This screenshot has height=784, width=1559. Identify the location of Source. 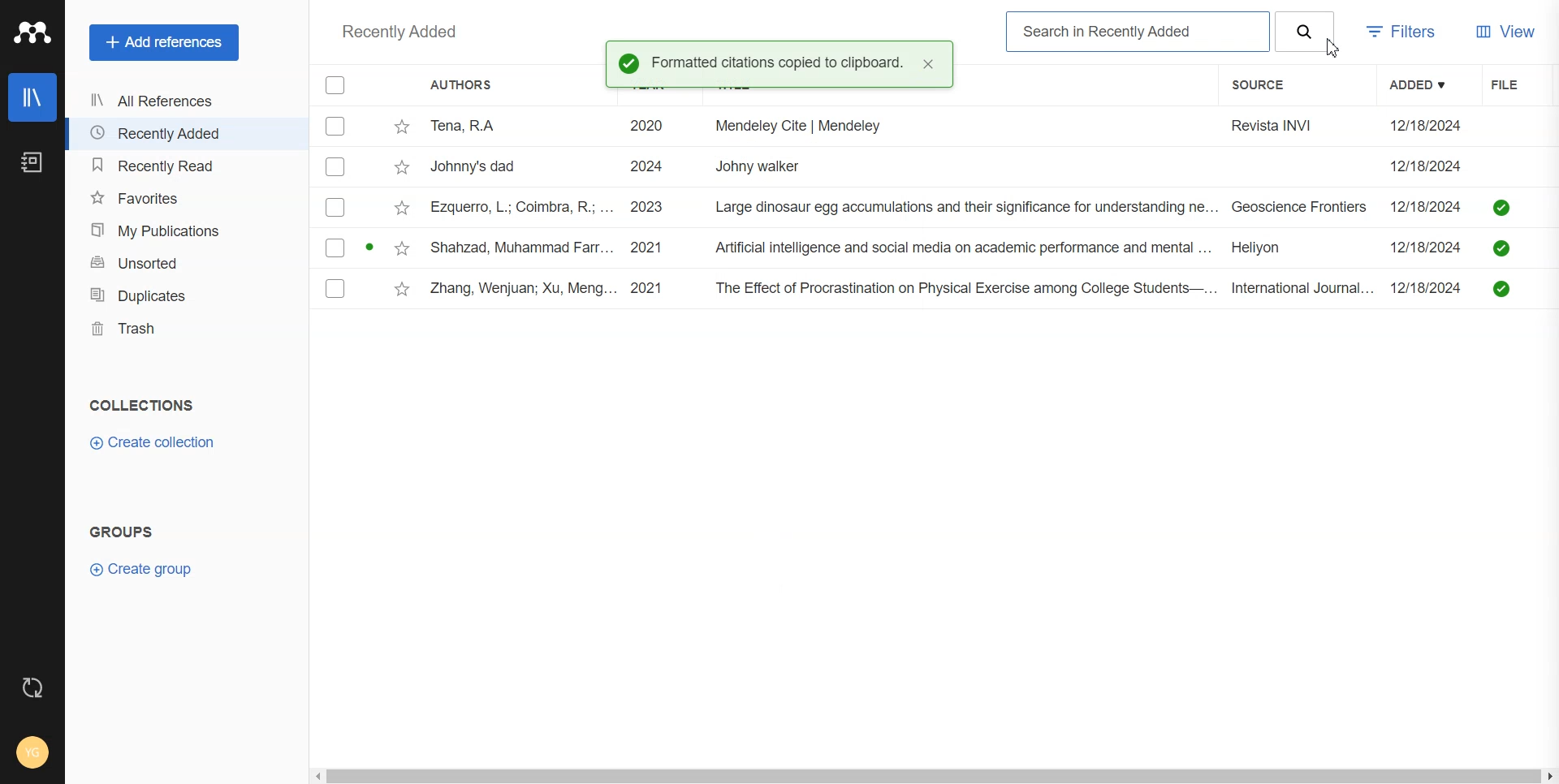
(1268, 86).